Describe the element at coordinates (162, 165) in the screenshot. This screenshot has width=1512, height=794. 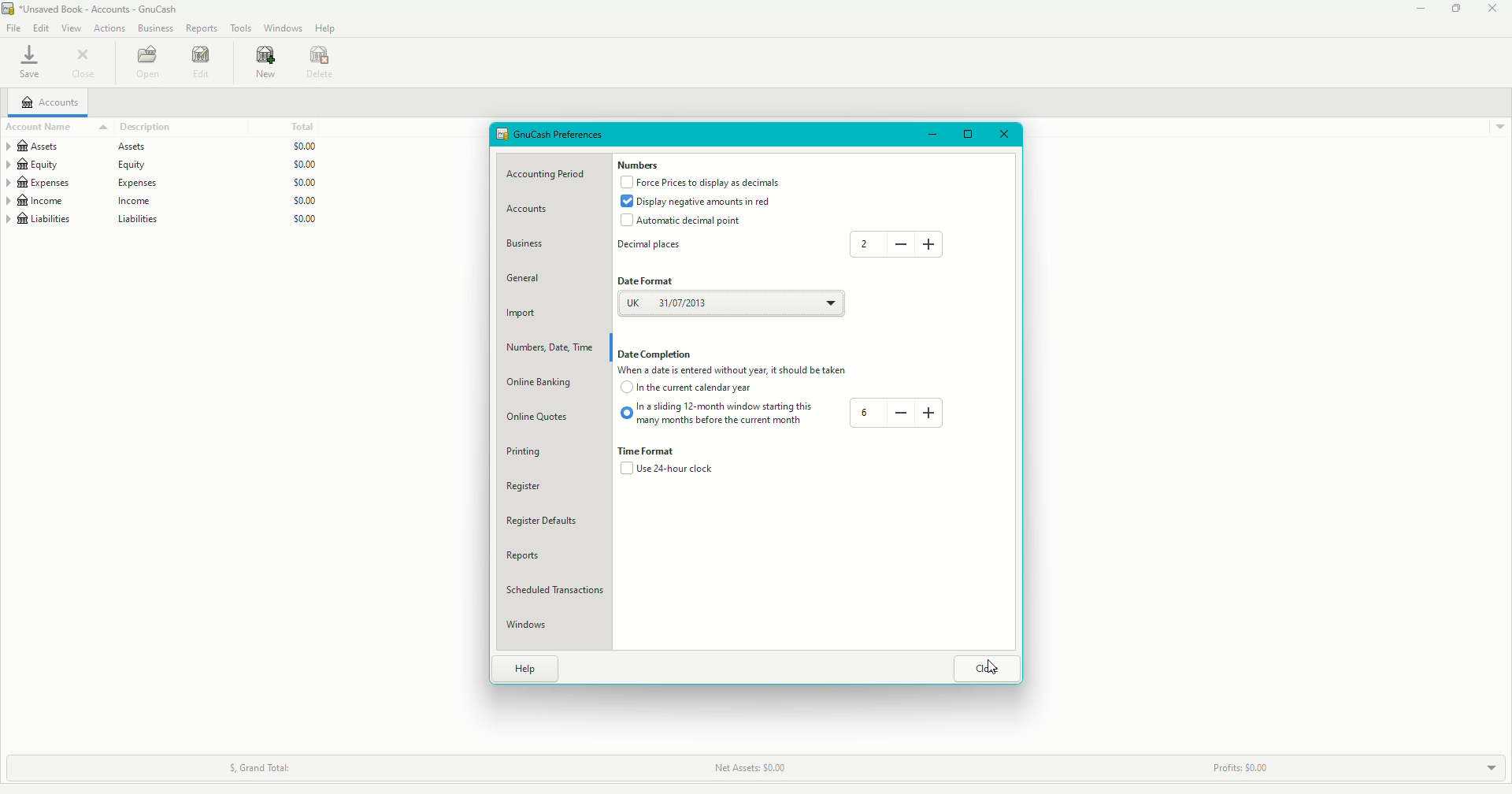
I see `Equity` at that location.